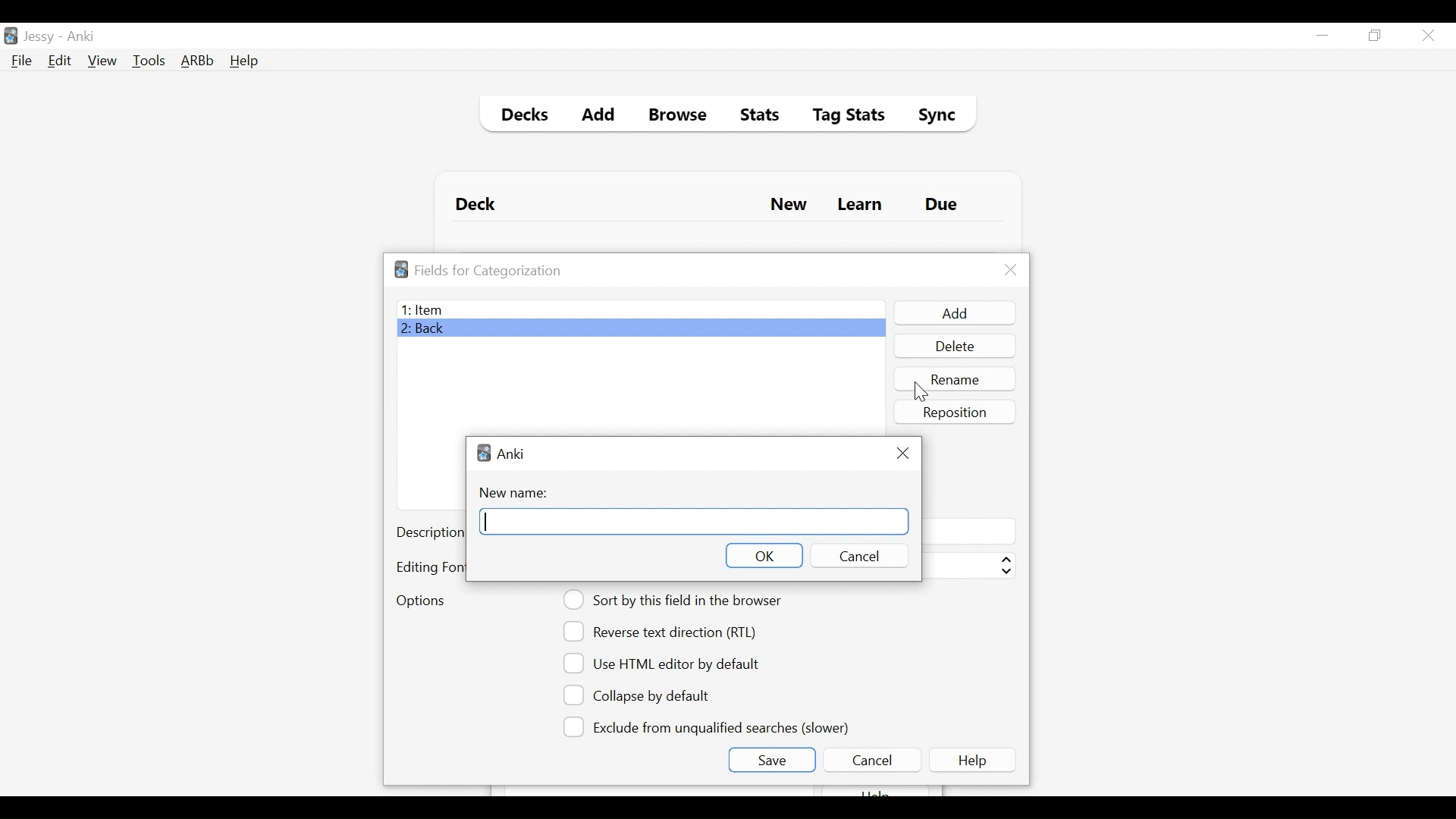  I want to click on New Name Field, so click(695, 522).